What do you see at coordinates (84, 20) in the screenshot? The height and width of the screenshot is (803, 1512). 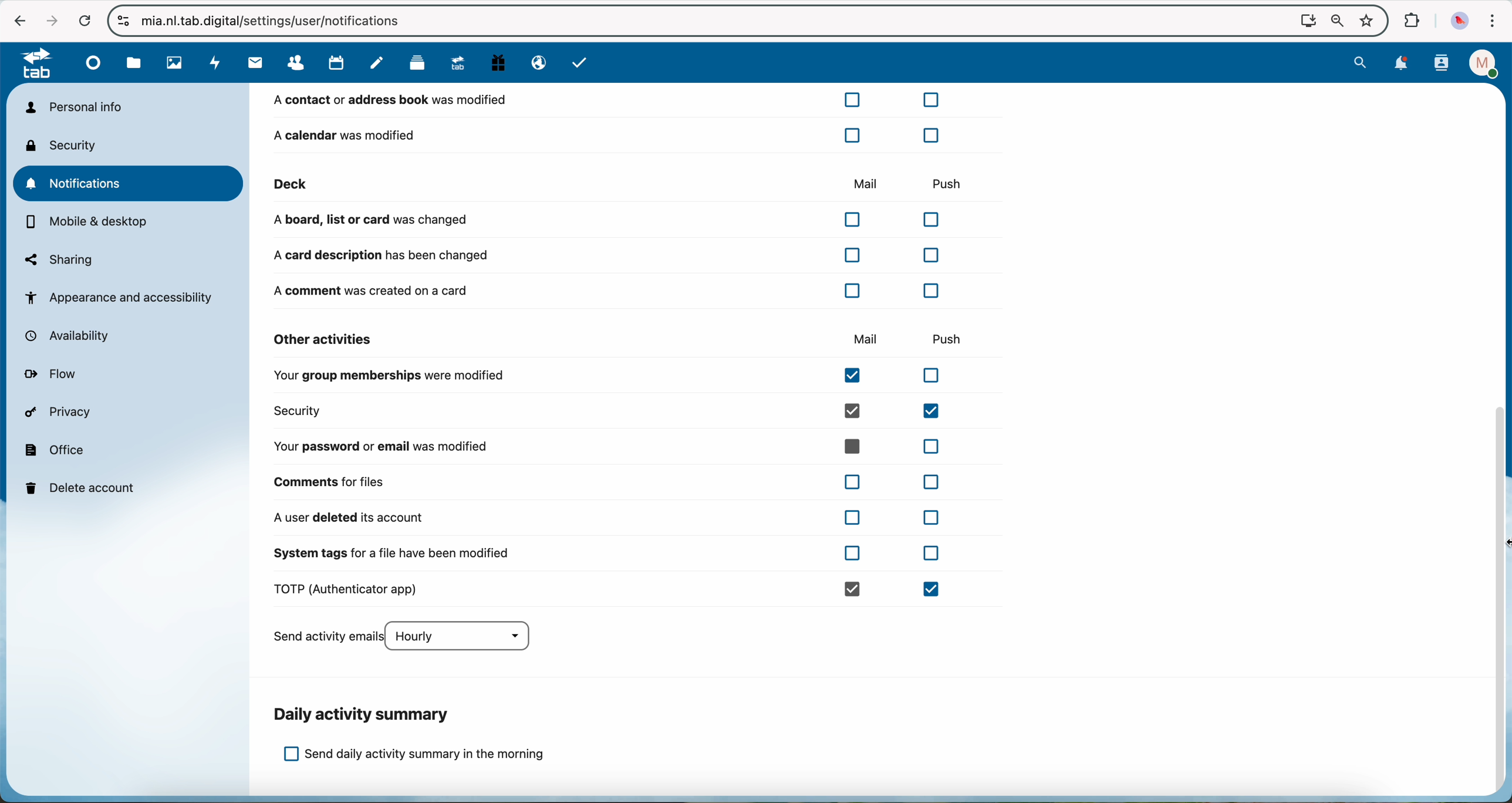 I see `refresh the page` at bounding box center [84, 20].